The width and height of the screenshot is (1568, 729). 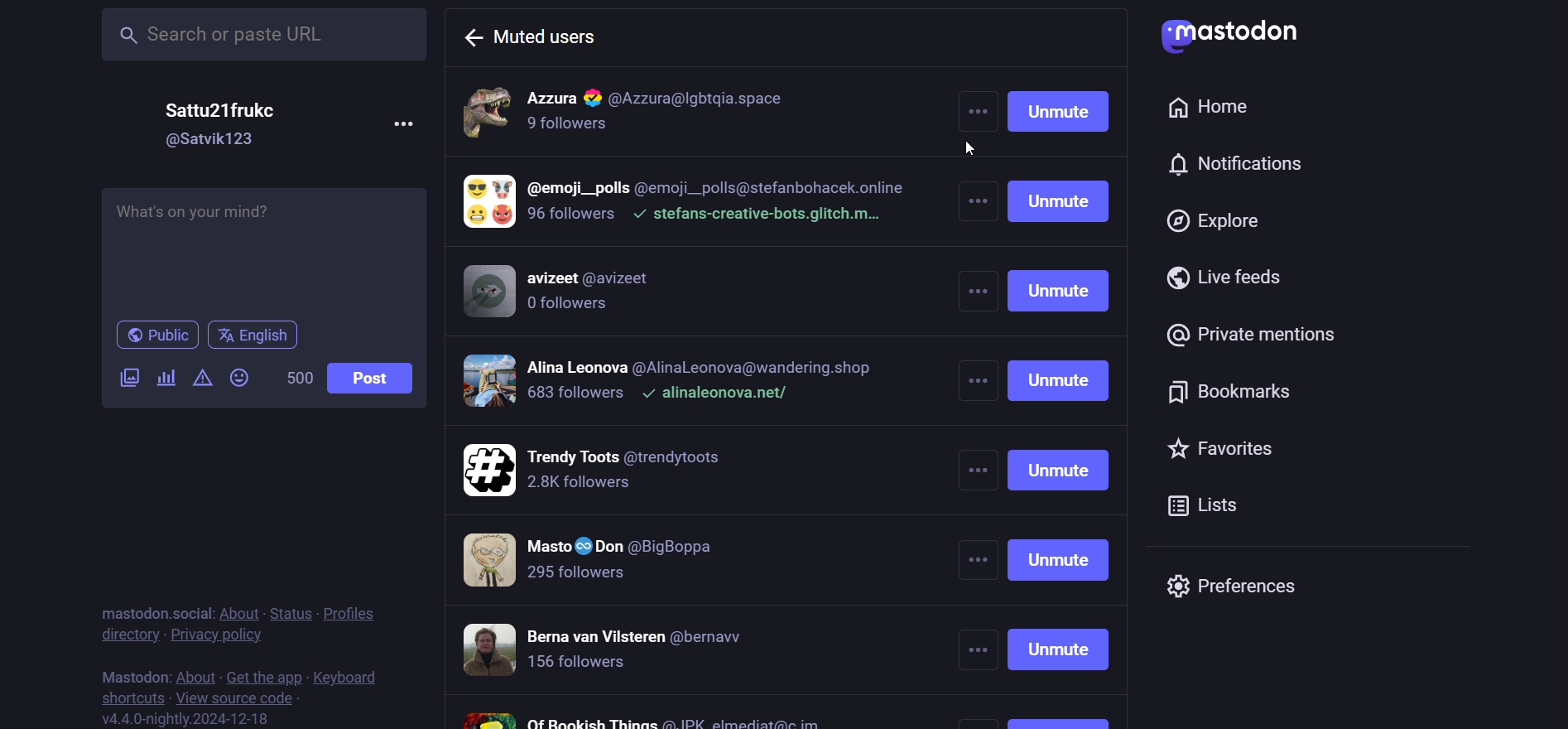 What do you see at coordinates (239, 377) in the screenshot?
I see `emoji` at bounding box center [239, 377].